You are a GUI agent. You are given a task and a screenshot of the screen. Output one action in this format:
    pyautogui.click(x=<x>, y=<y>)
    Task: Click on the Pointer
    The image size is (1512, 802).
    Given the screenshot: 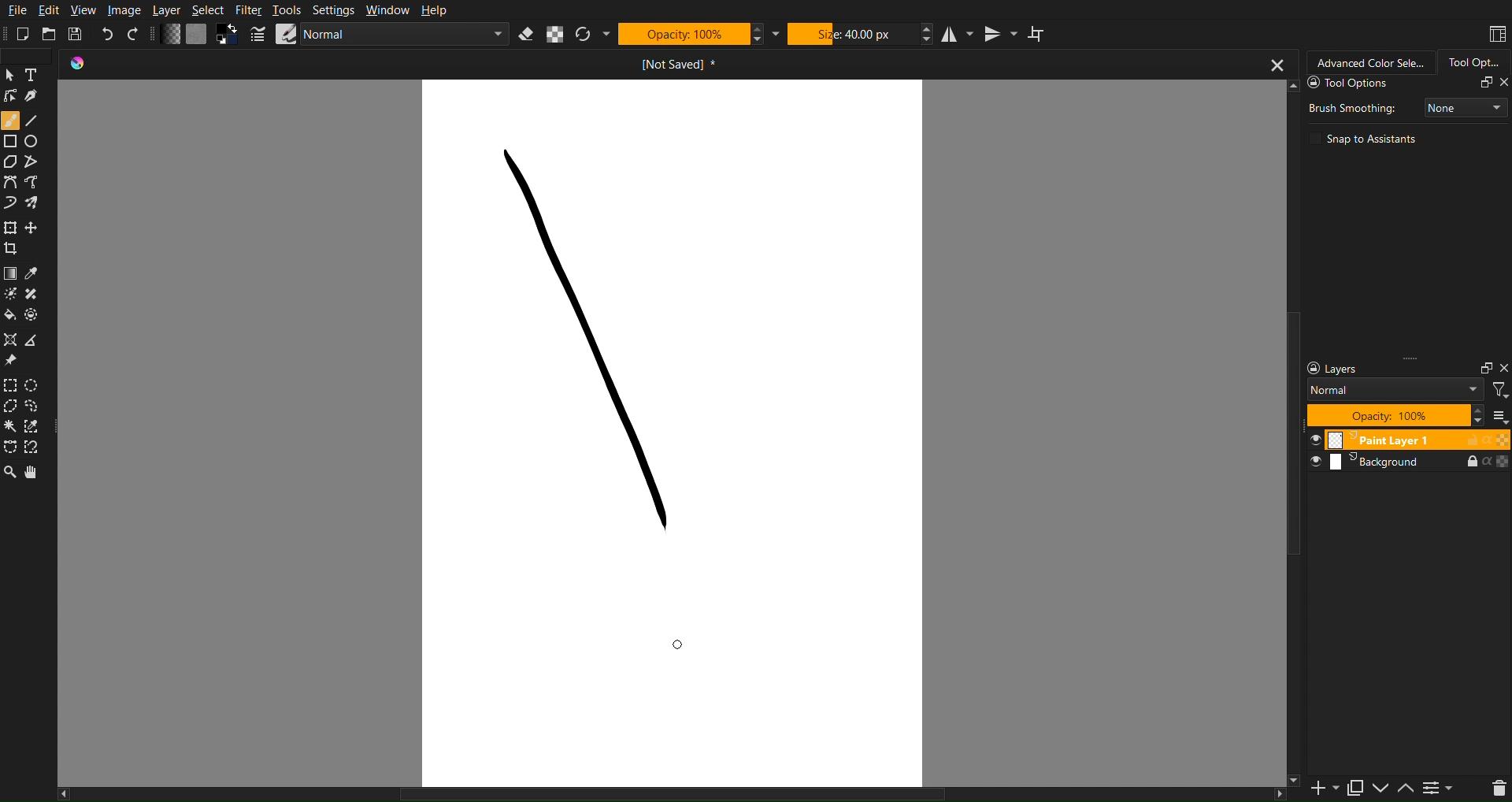 What is the action you would take?
    pyautogui.click(x=11, y=75)
    